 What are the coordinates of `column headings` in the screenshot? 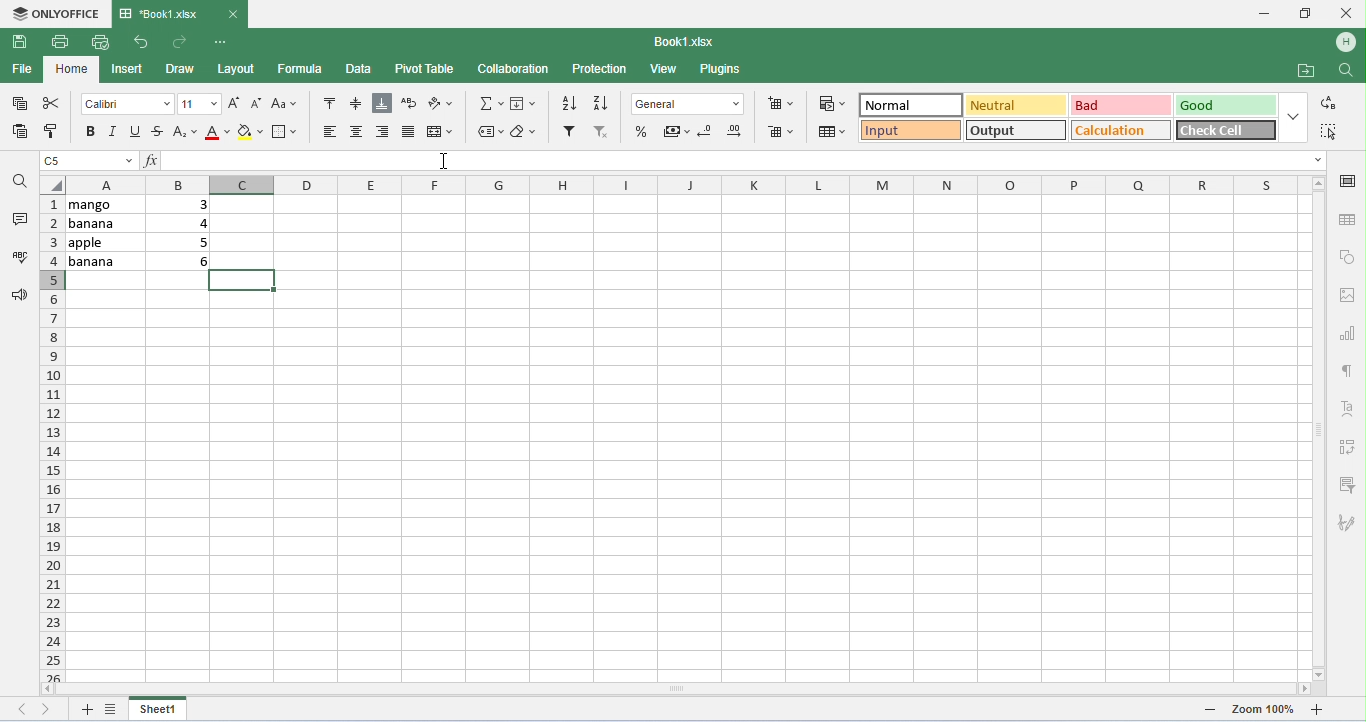 It's located at (686, 184).